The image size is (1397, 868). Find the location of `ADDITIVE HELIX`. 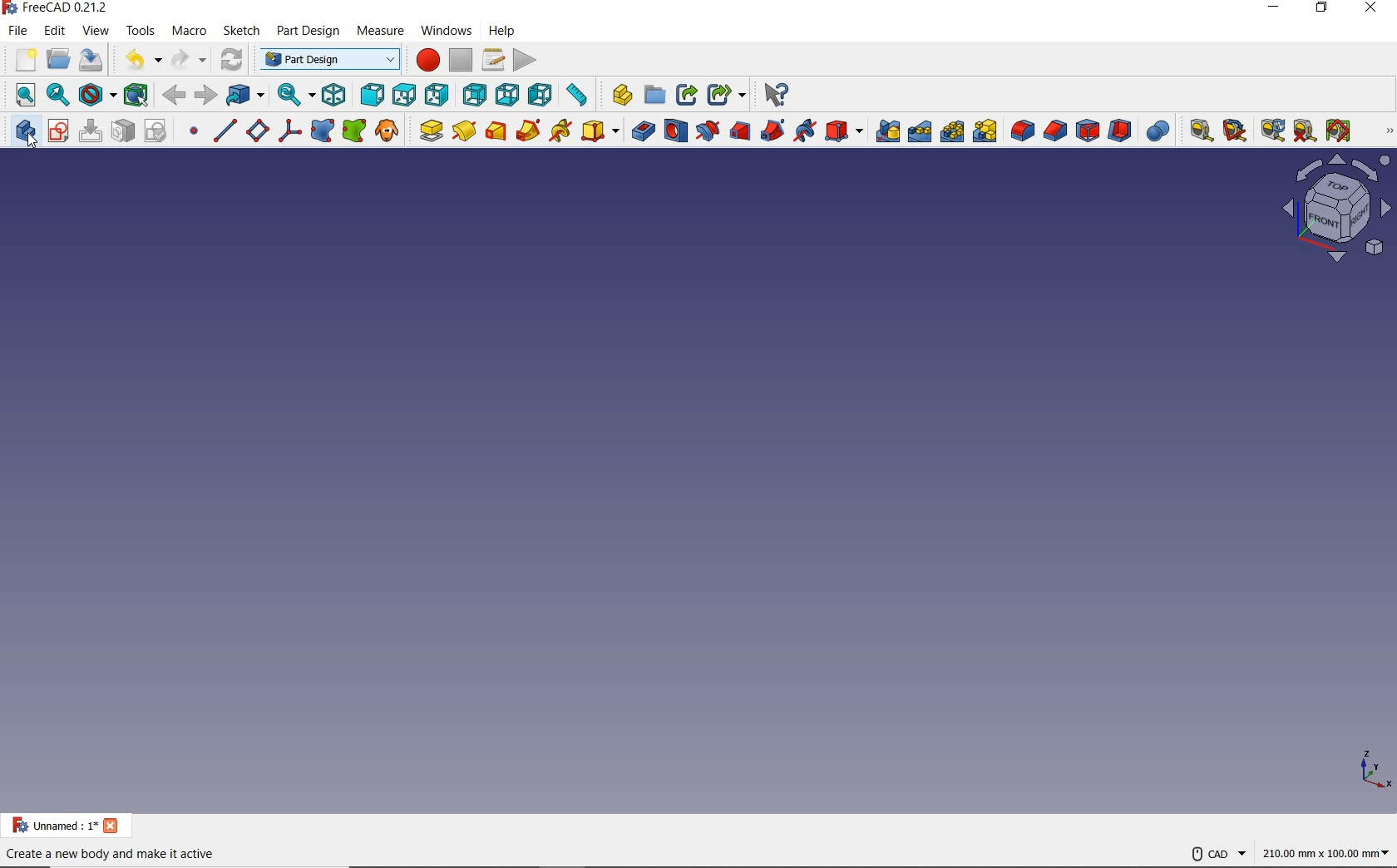

ADDITIVE HELIX is located at coordinates (561, 131).